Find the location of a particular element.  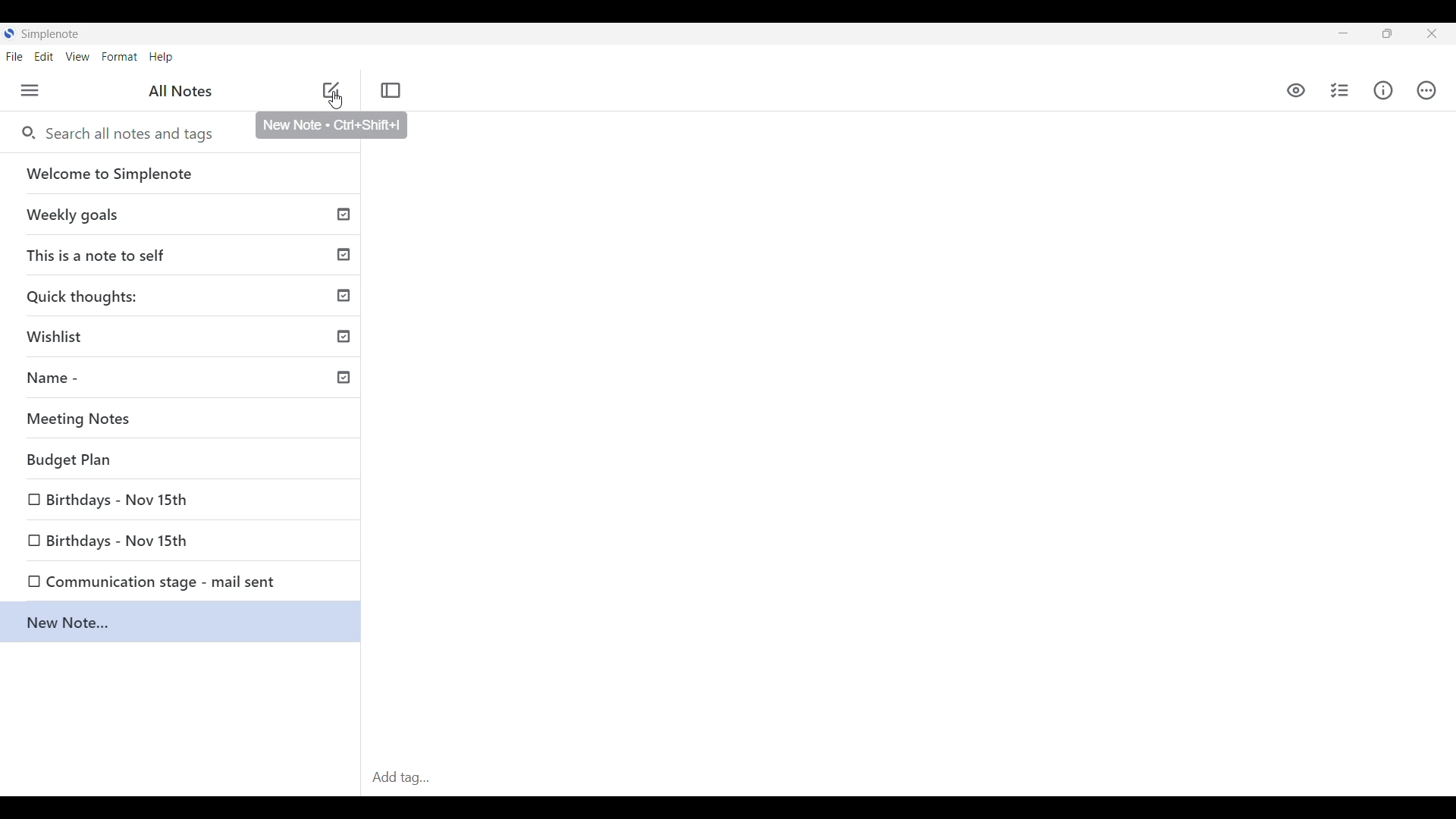

Toggle focus mode is located at coordinates (390, 90).